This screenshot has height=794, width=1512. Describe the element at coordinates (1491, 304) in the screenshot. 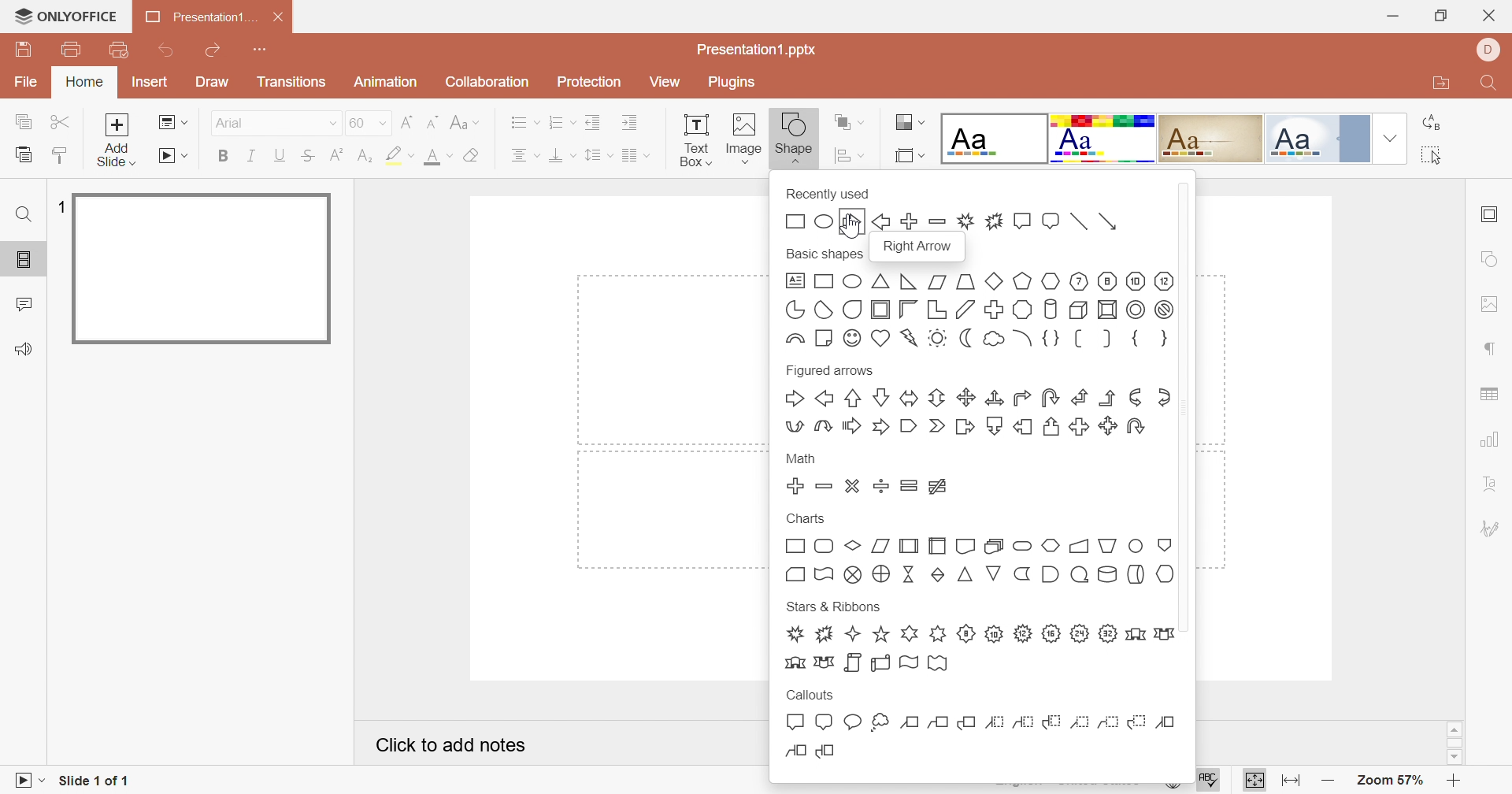

I see `Image settings` at that location.